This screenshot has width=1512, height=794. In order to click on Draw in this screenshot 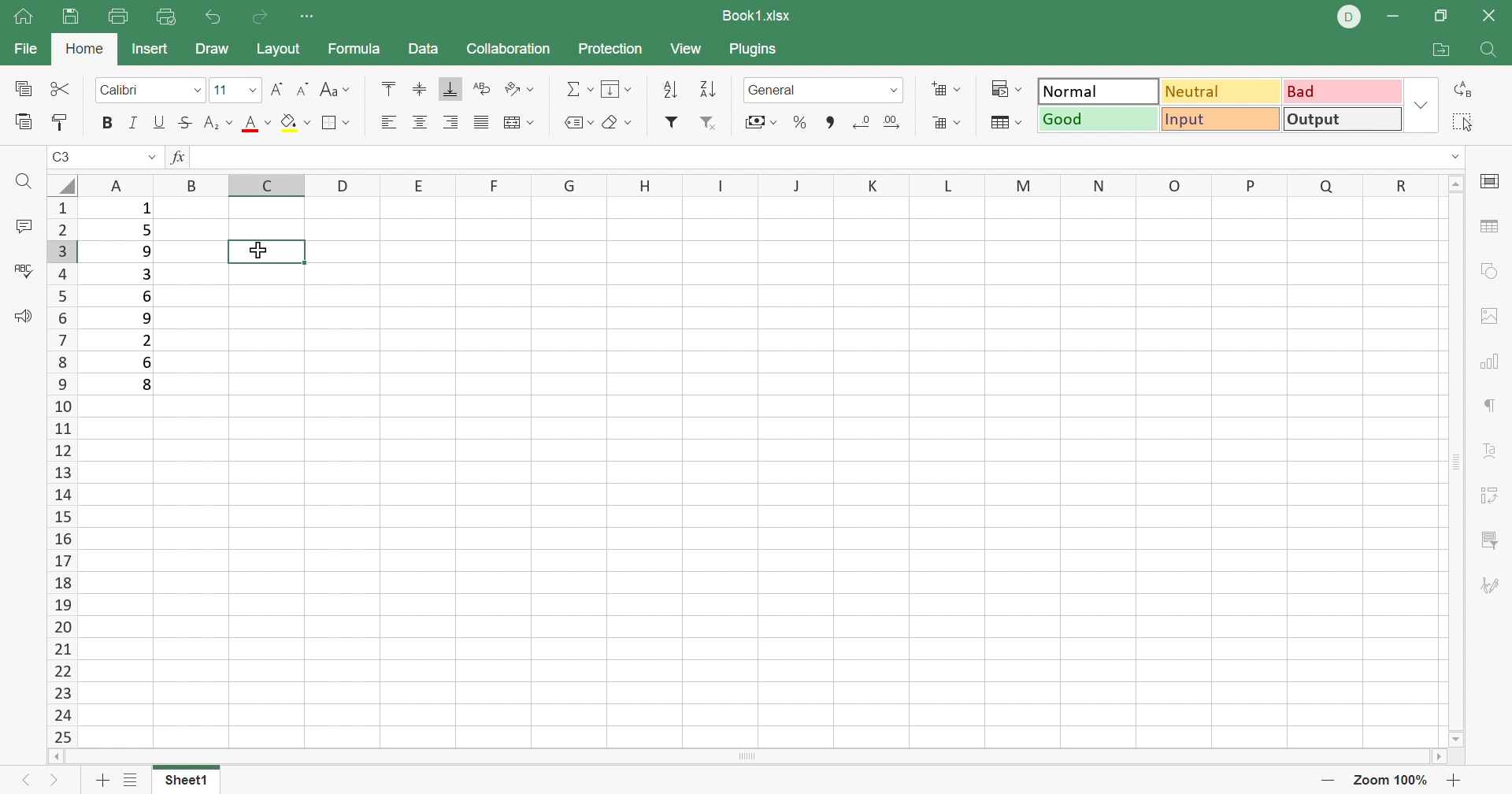, I will do `click(211, 50)`.